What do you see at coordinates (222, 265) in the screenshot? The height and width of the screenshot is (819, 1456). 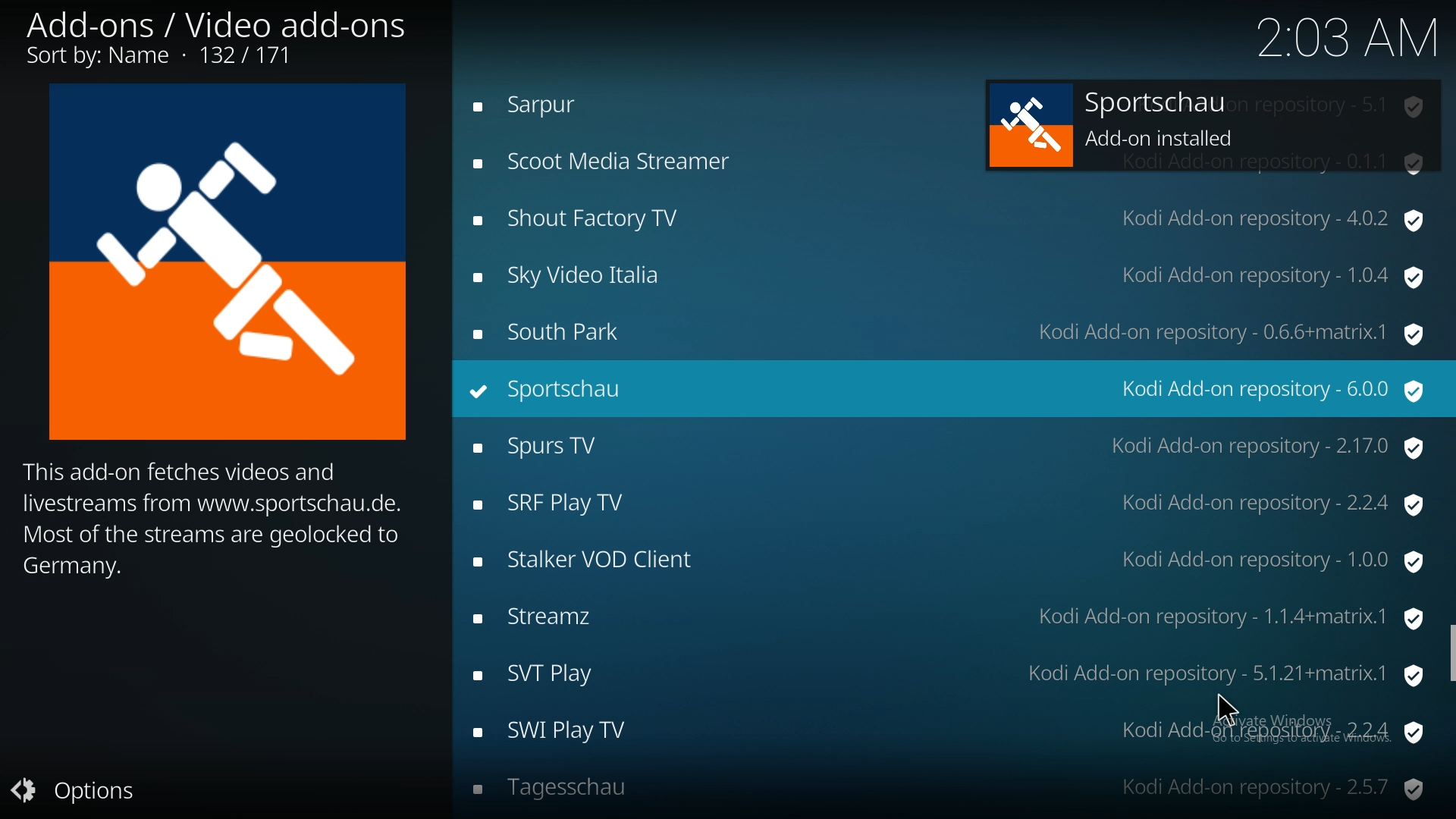 I see `Icon` at bounding box center [222, 265].